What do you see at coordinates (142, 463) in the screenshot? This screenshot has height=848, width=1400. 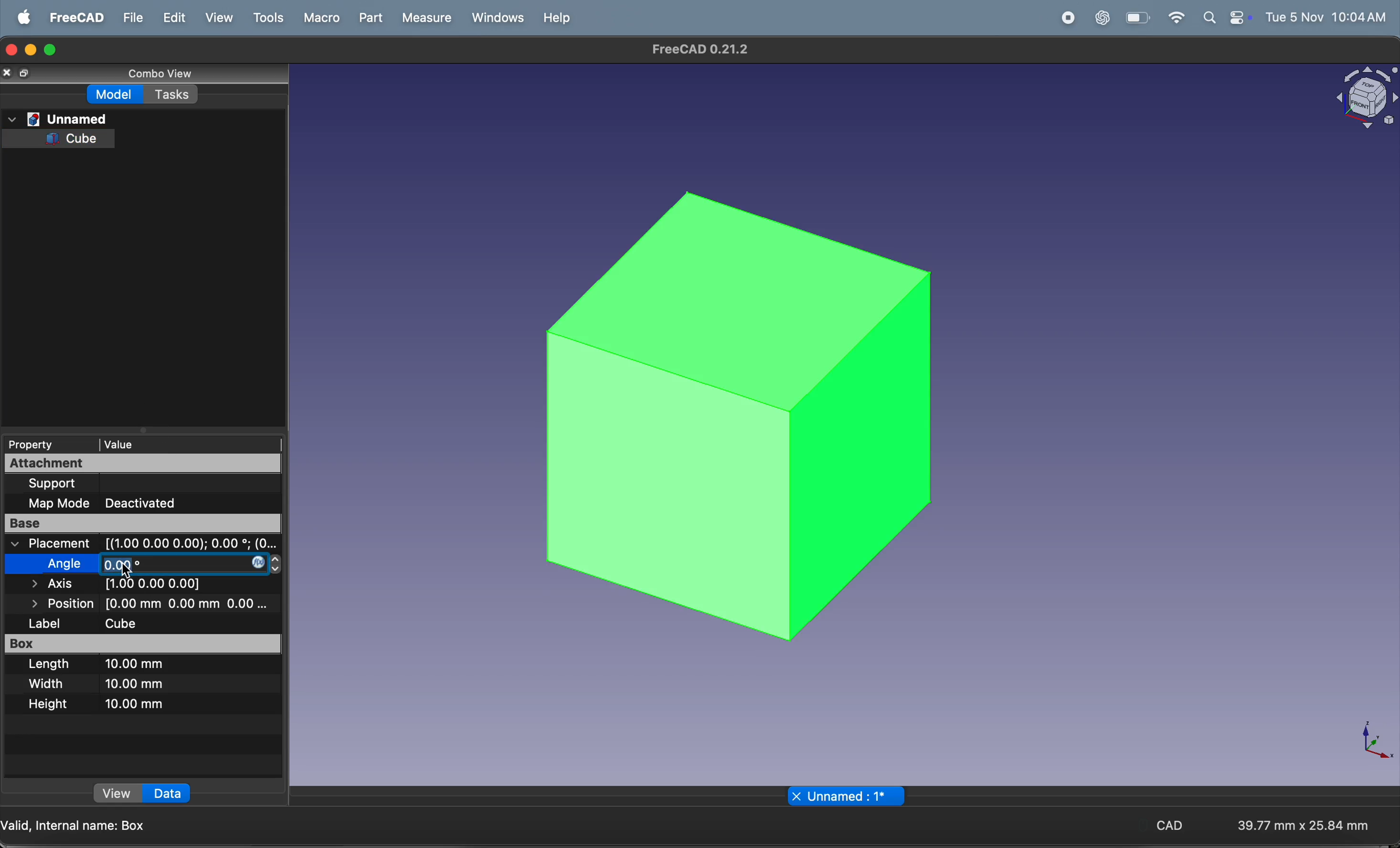 I see `attachment` at bounding box center [142, 463].